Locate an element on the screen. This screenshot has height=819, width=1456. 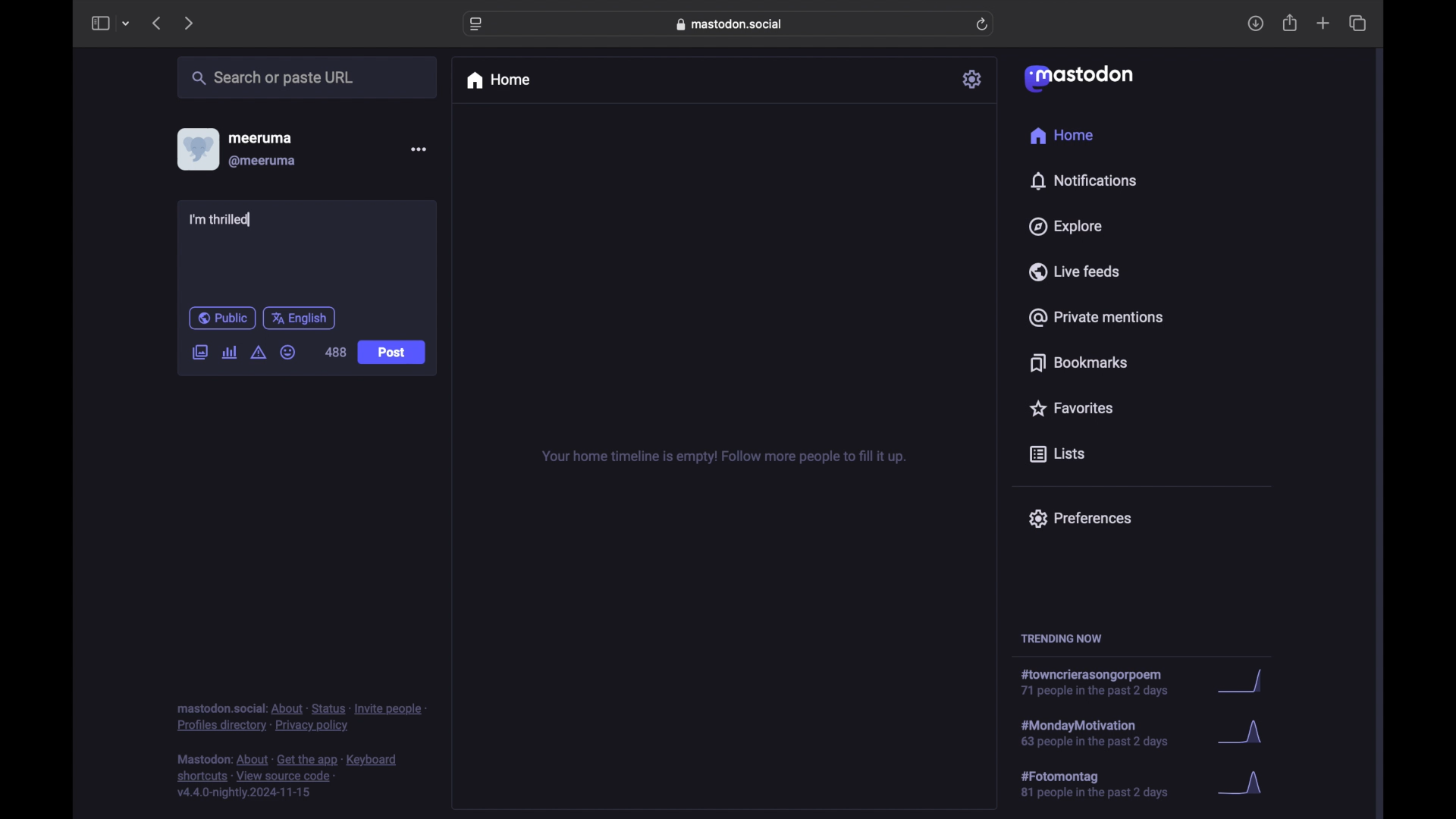
@meeruma is located at coordinates (264, 162).